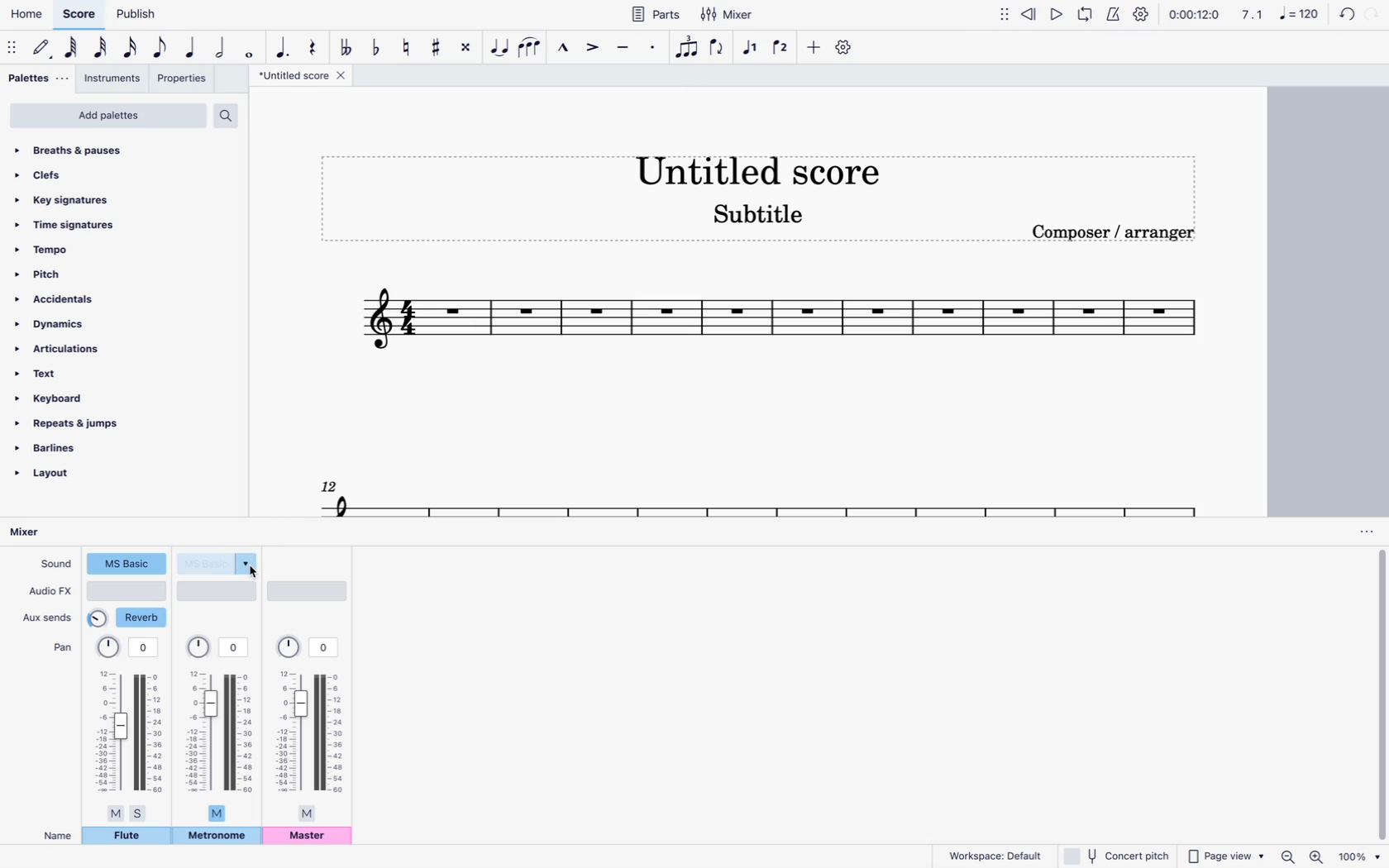  What do you see at coordinates (1124, 236) in the screenshot?
I see `composer / arranger` at bounding box center [1124, 236].